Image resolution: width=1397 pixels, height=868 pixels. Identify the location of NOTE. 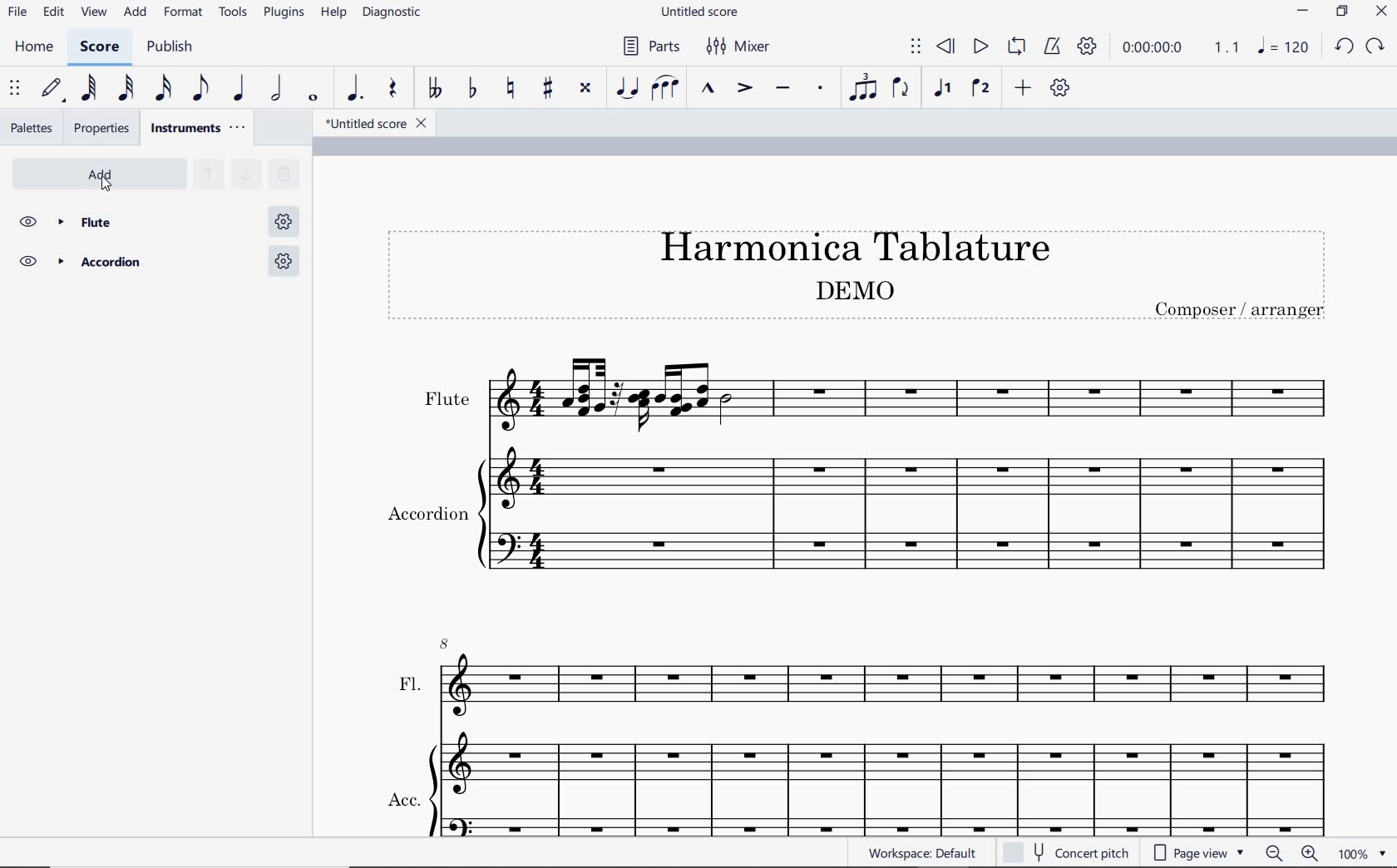
(1284, 49).